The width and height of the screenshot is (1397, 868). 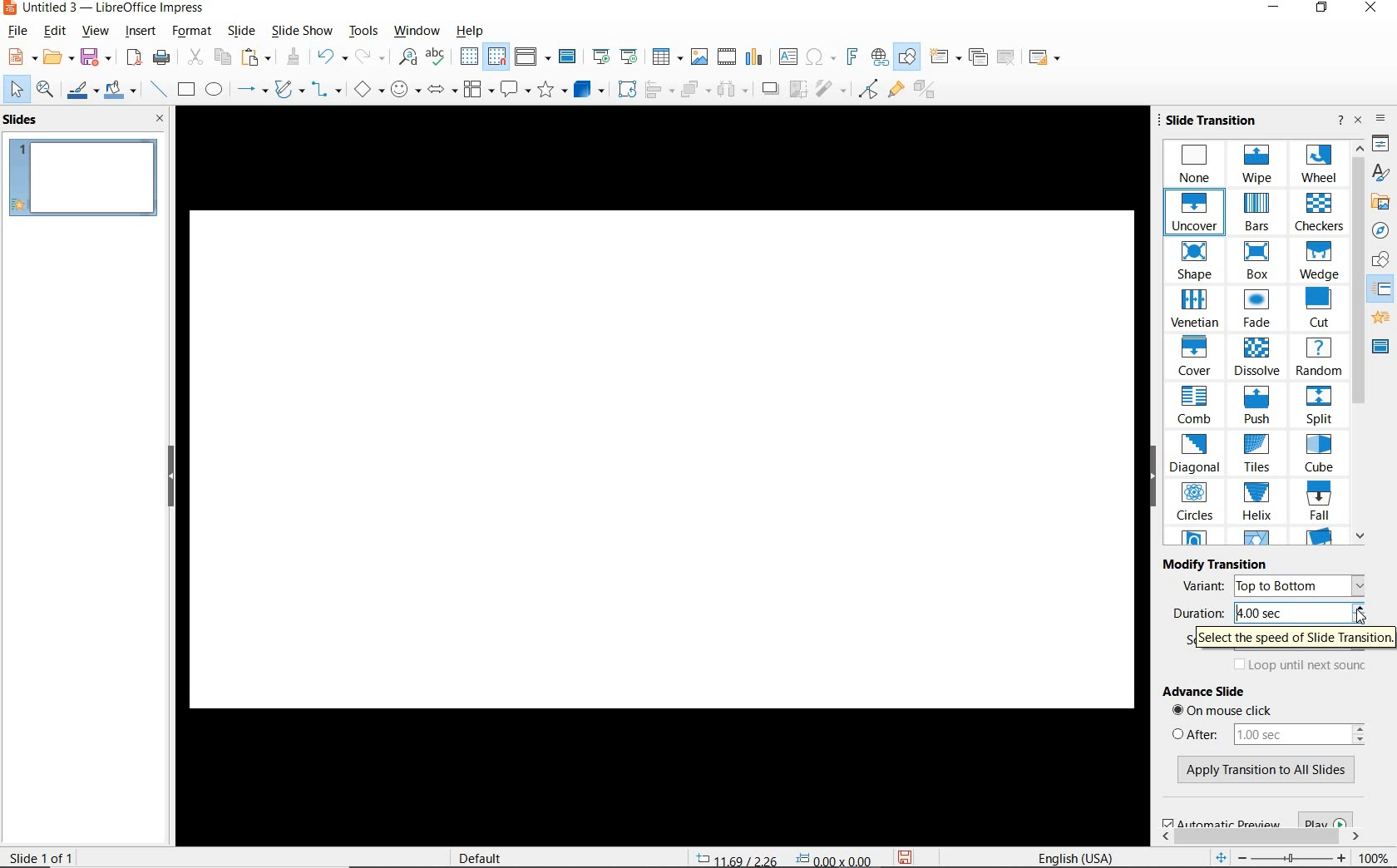 What do you see at coordinates (96, 56) in the screenshot?
I see `SAVE` at bounding box center [96, 56].